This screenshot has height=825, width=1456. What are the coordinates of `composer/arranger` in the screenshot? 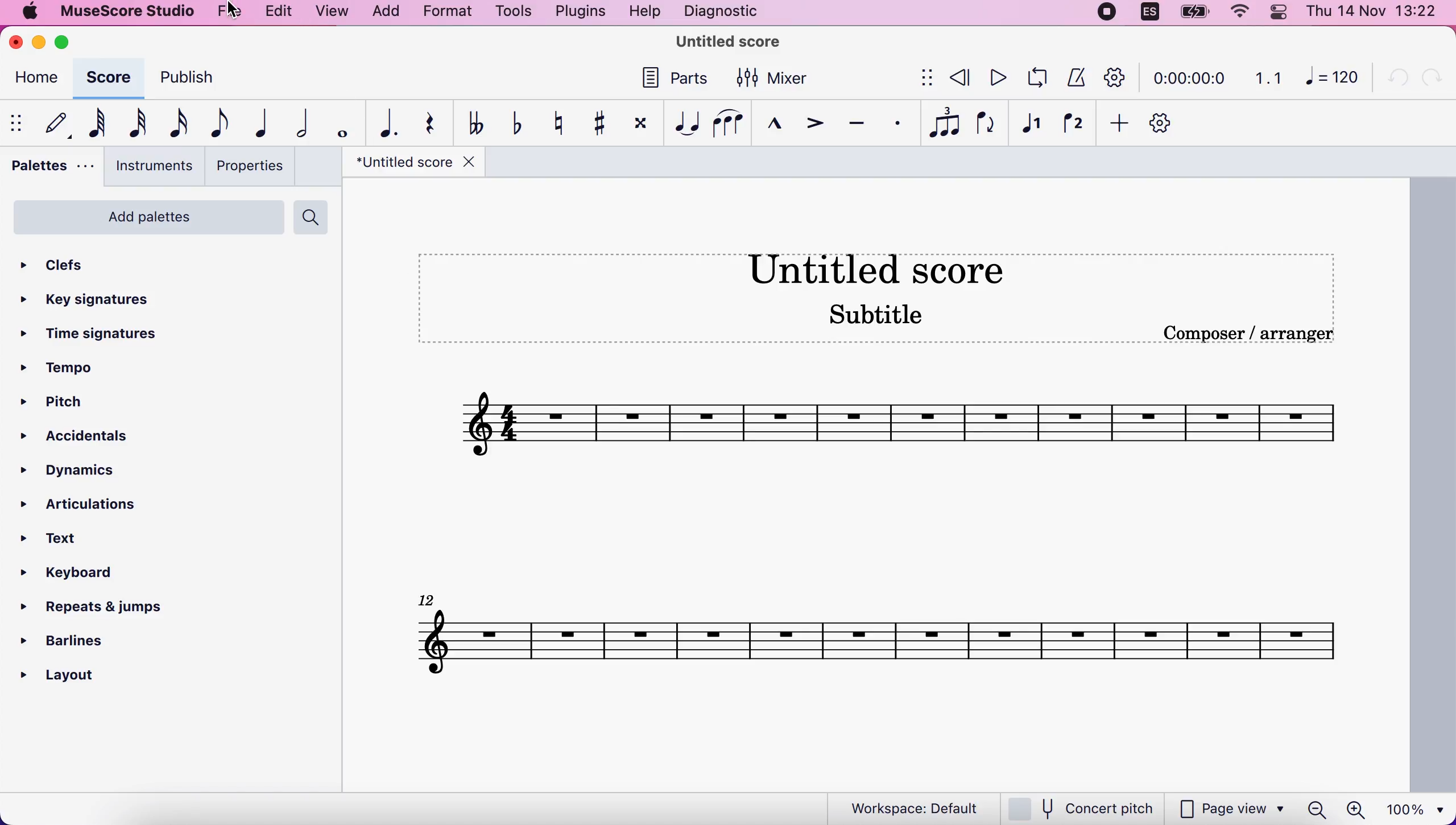 It's located at (1250, 335).